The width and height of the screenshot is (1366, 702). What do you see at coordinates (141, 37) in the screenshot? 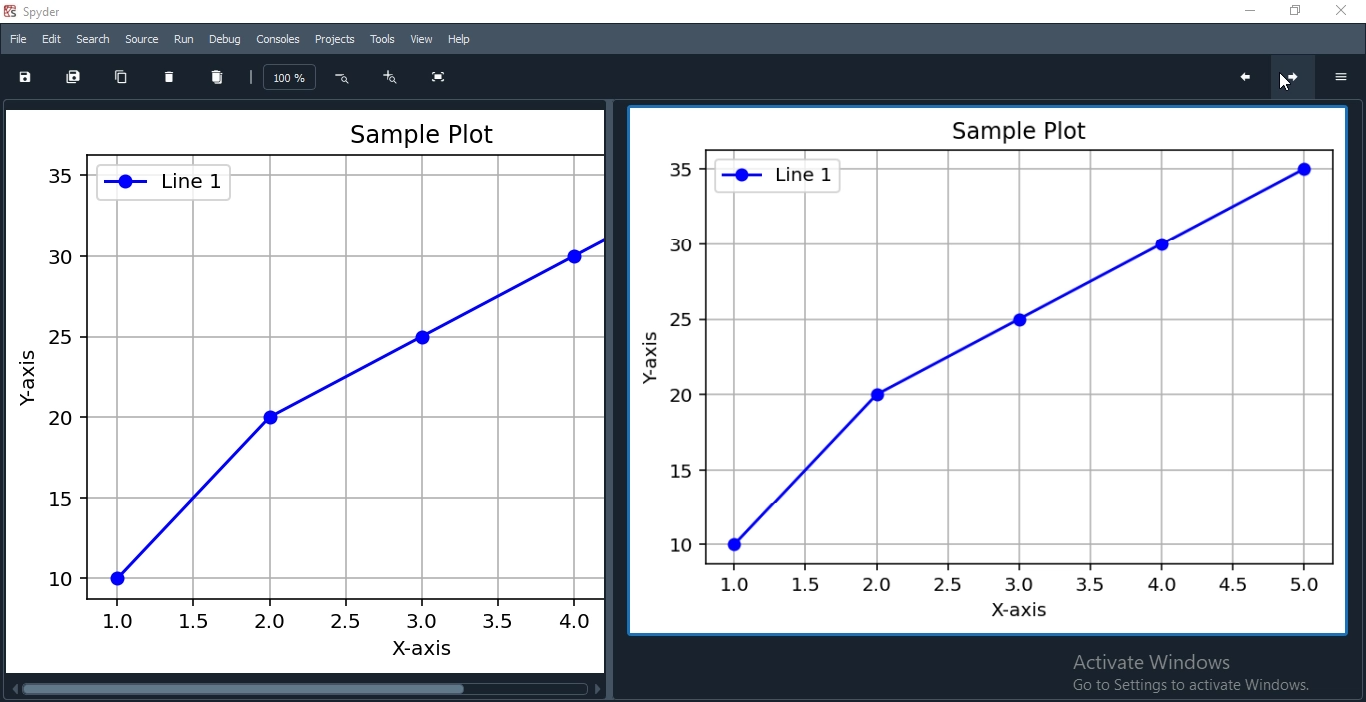
I see `Source` at bounding box center [141, 37].